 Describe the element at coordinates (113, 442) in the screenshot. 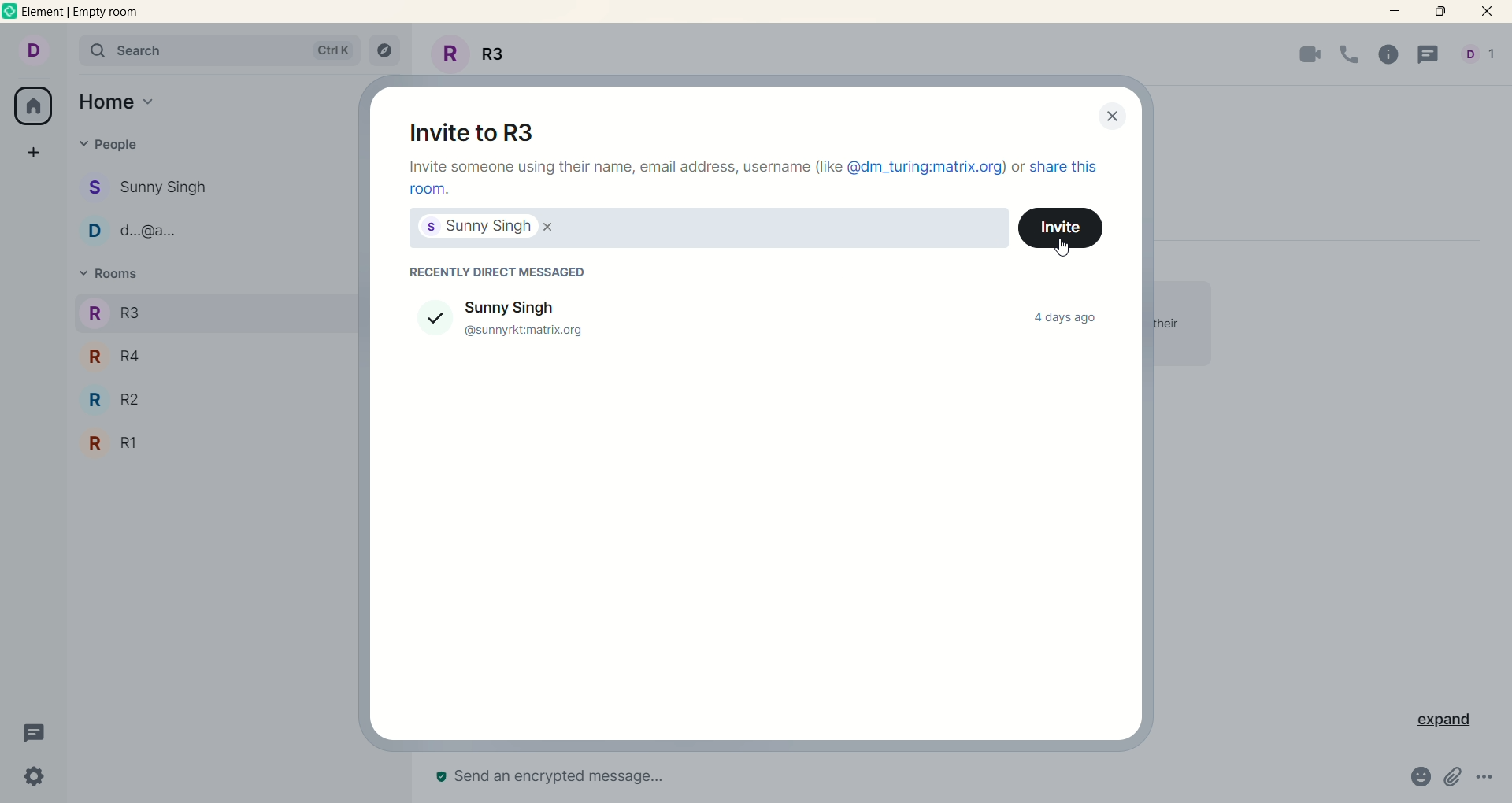

I see `R R1` at that location.